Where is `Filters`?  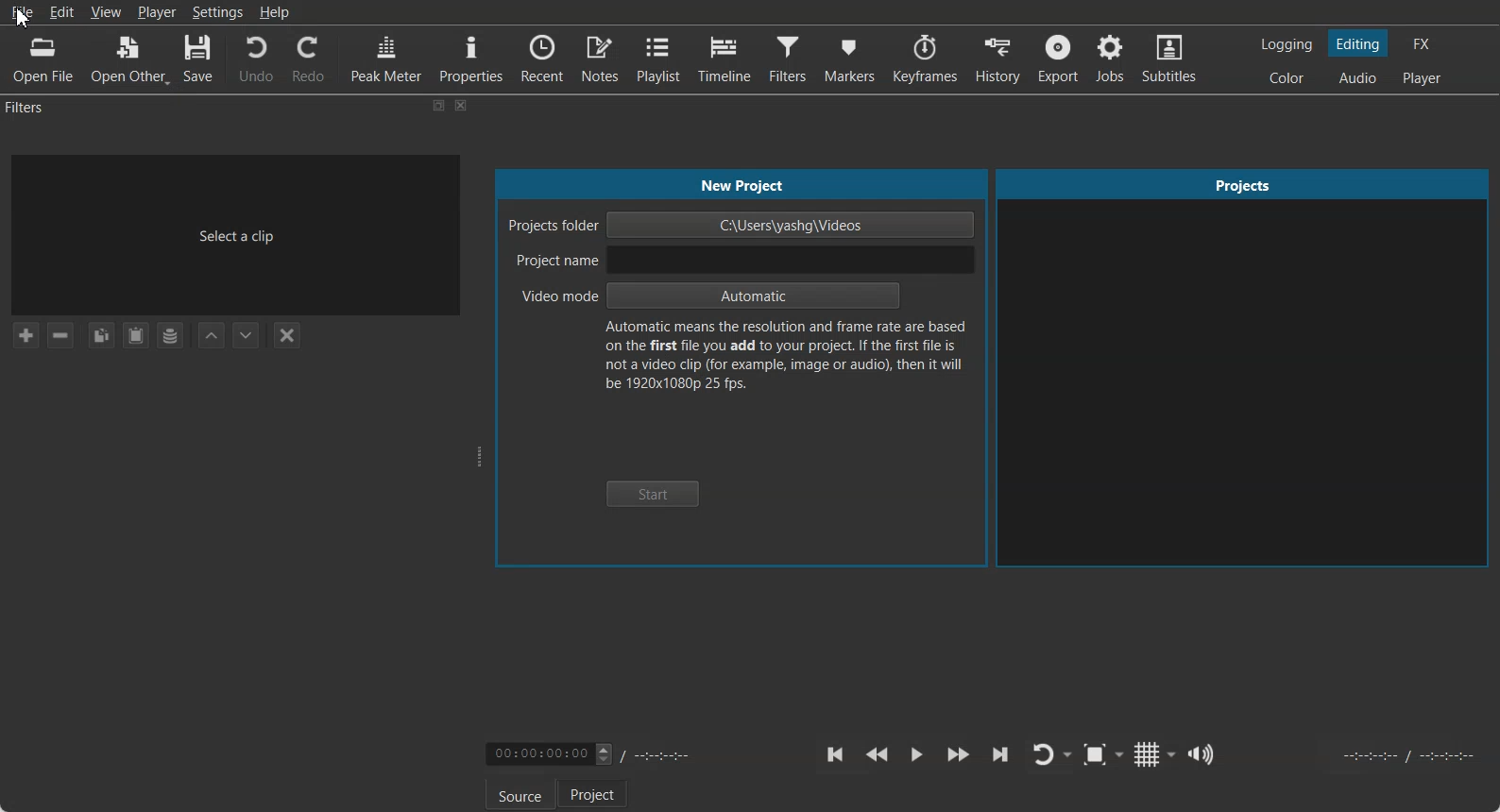
Filters is located at coordinates (791, 58).